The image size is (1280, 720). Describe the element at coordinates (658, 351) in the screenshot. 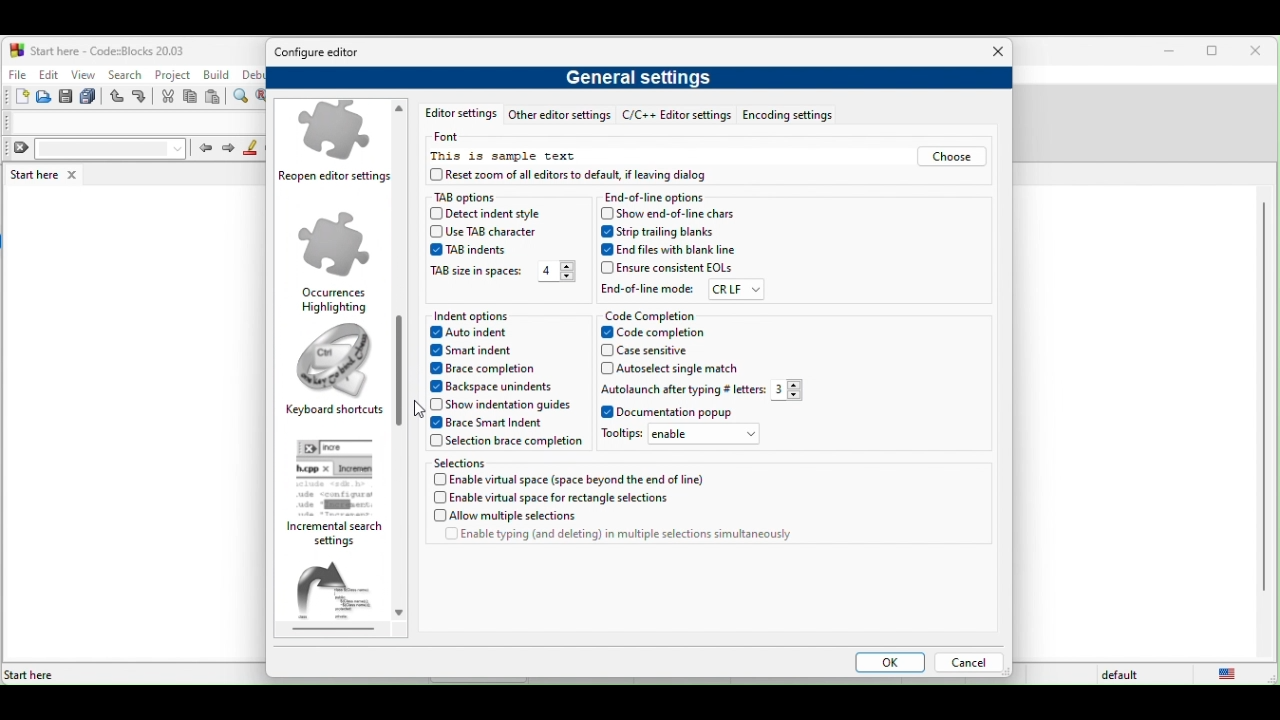

I see `case sensitive` at that location.